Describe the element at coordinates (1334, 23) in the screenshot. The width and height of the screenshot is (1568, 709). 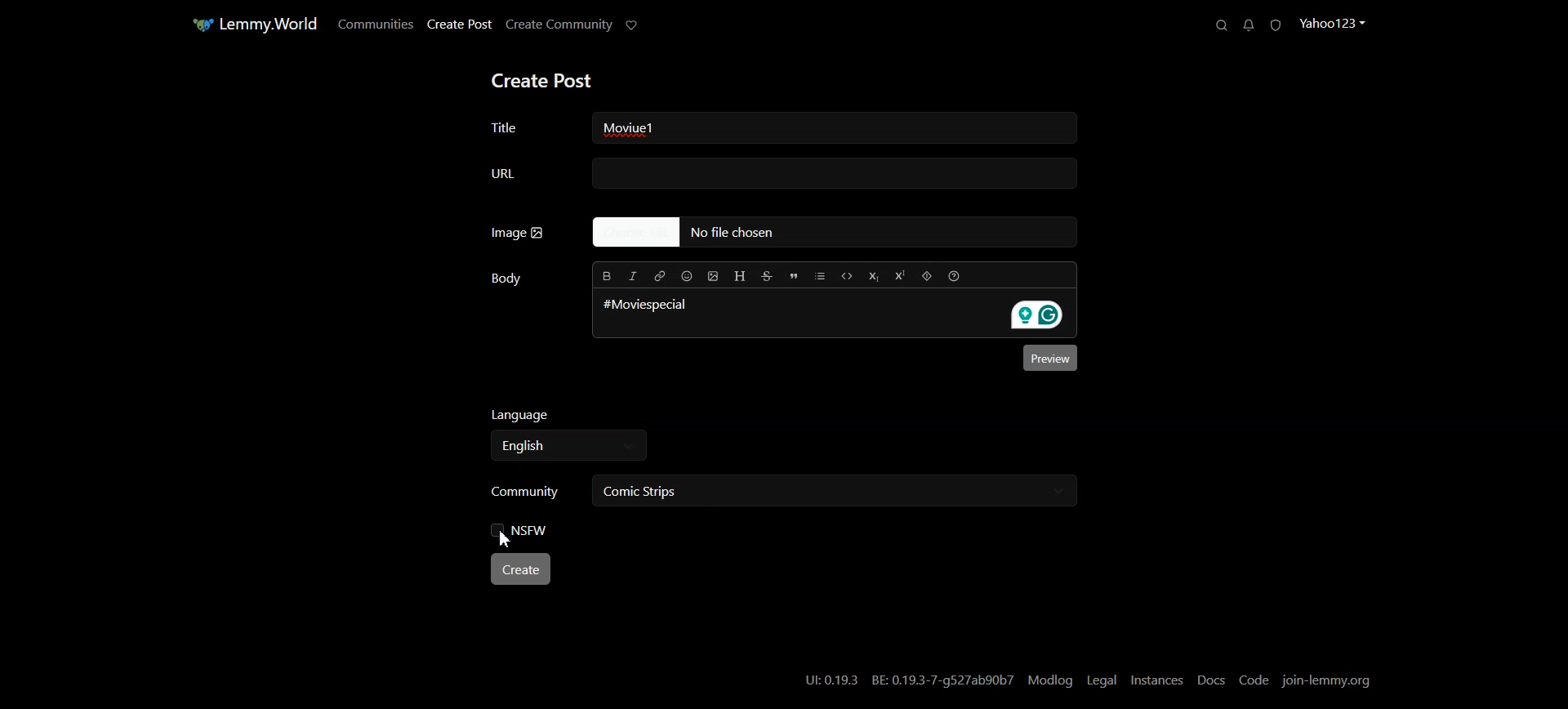
I see `Profile` at that location.